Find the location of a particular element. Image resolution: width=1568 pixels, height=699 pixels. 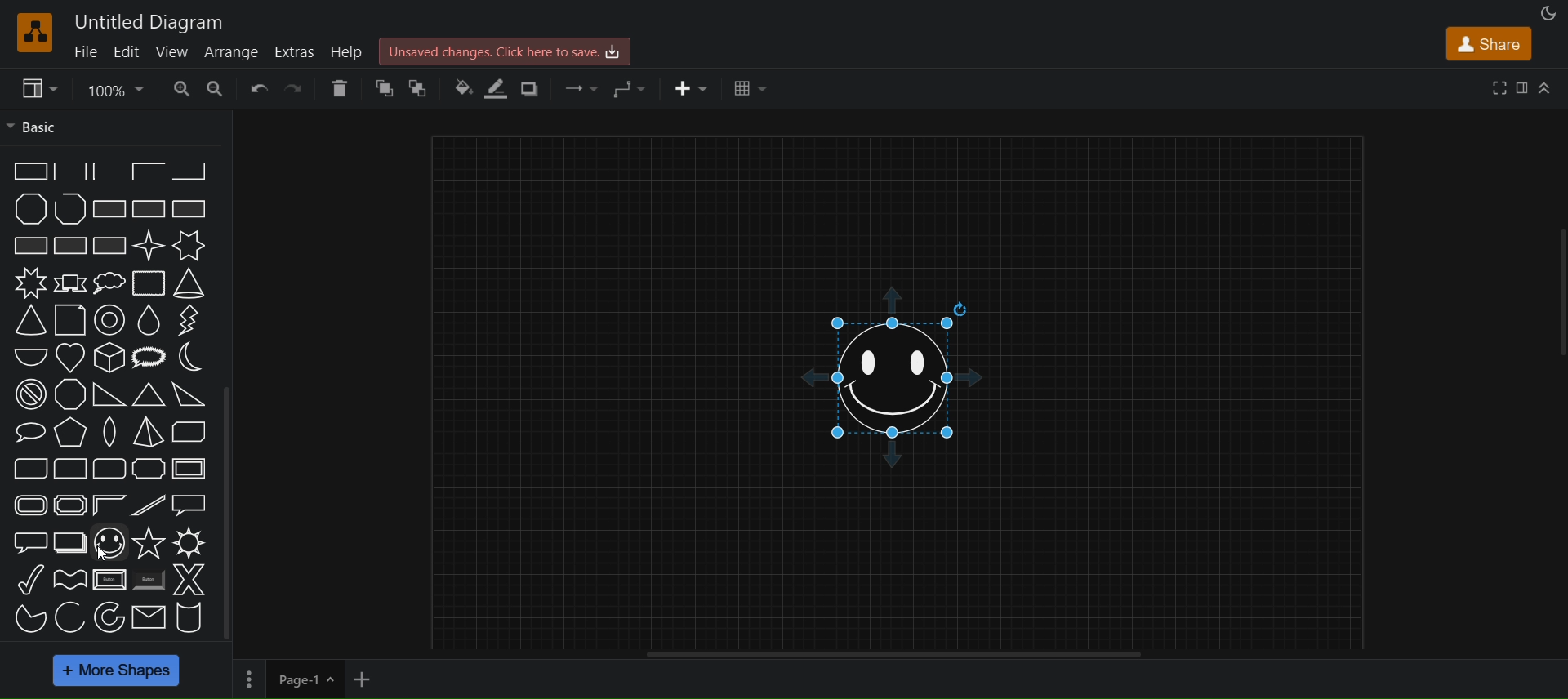

diagonal rounded rectangle is located at coordinates (24, 467).